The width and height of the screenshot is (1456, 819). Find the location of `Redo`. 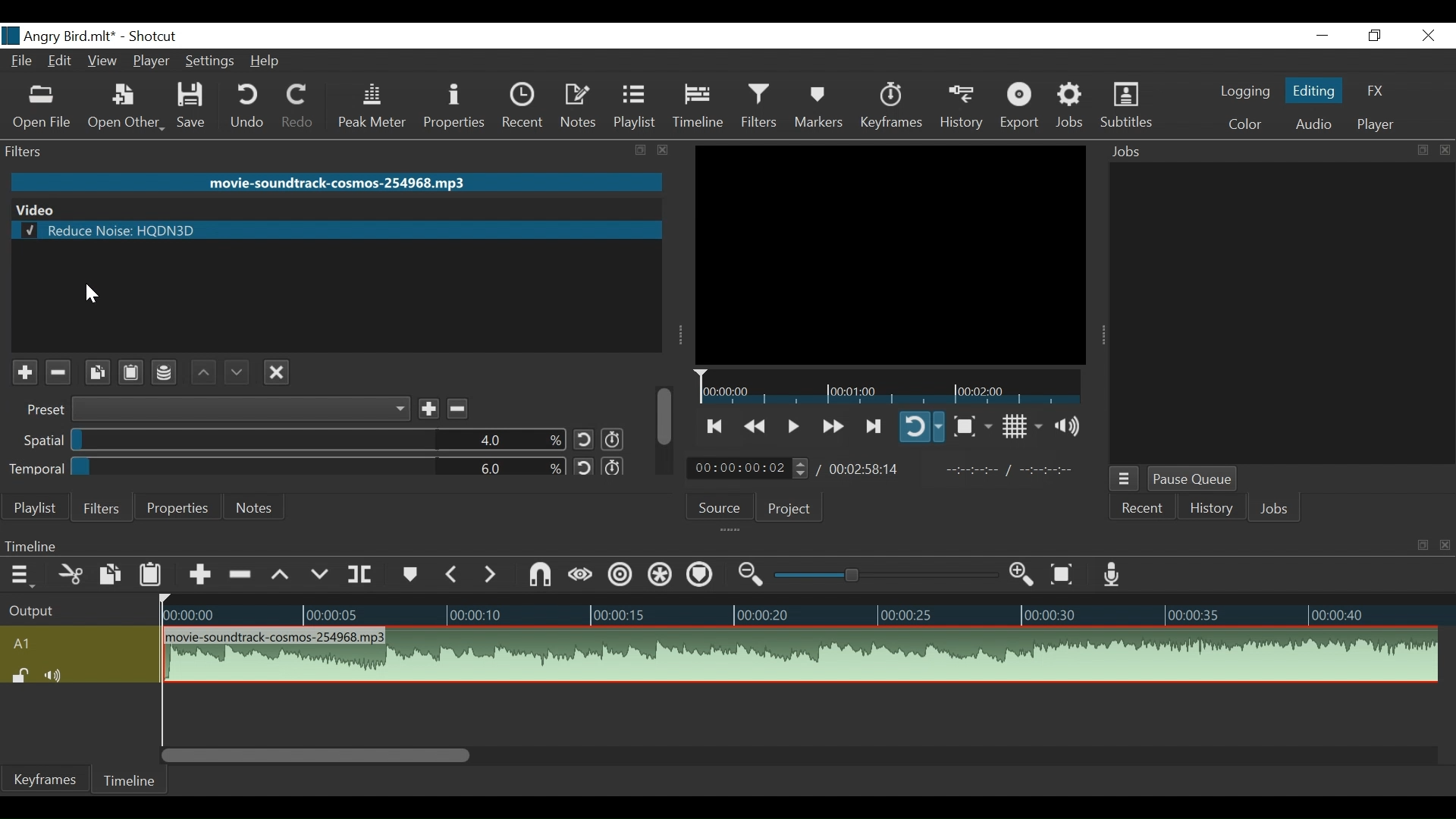

Redo is located at coordinates (293, 107).